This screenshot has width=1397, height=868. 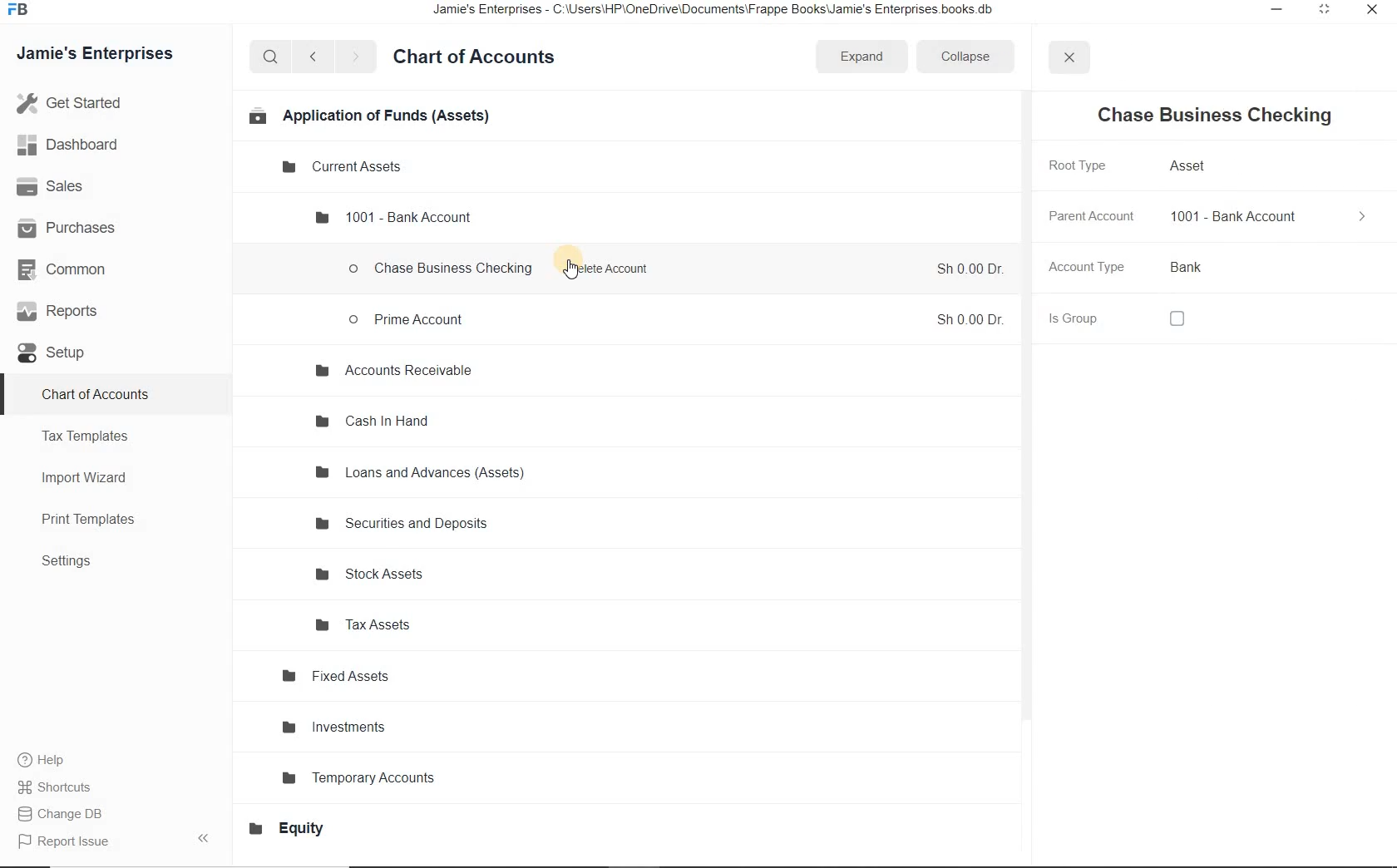 What do you see at coordinates (207, 837) in the screenshot?
I see `expand` at bounding box center [207, 837].